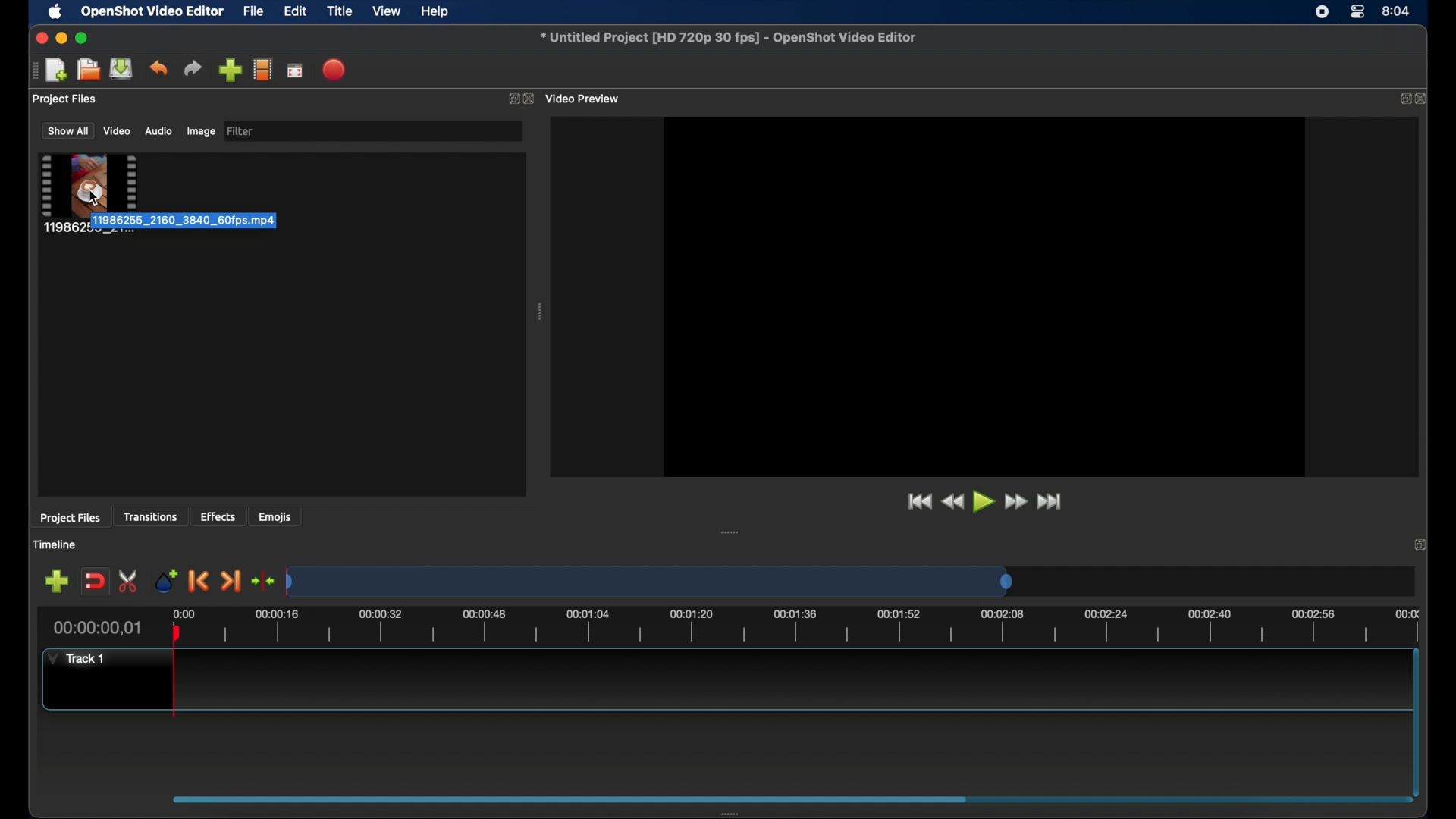  Describe the element at coordinates (540, 312) in the screenshot. I see `drag handle` at that location.